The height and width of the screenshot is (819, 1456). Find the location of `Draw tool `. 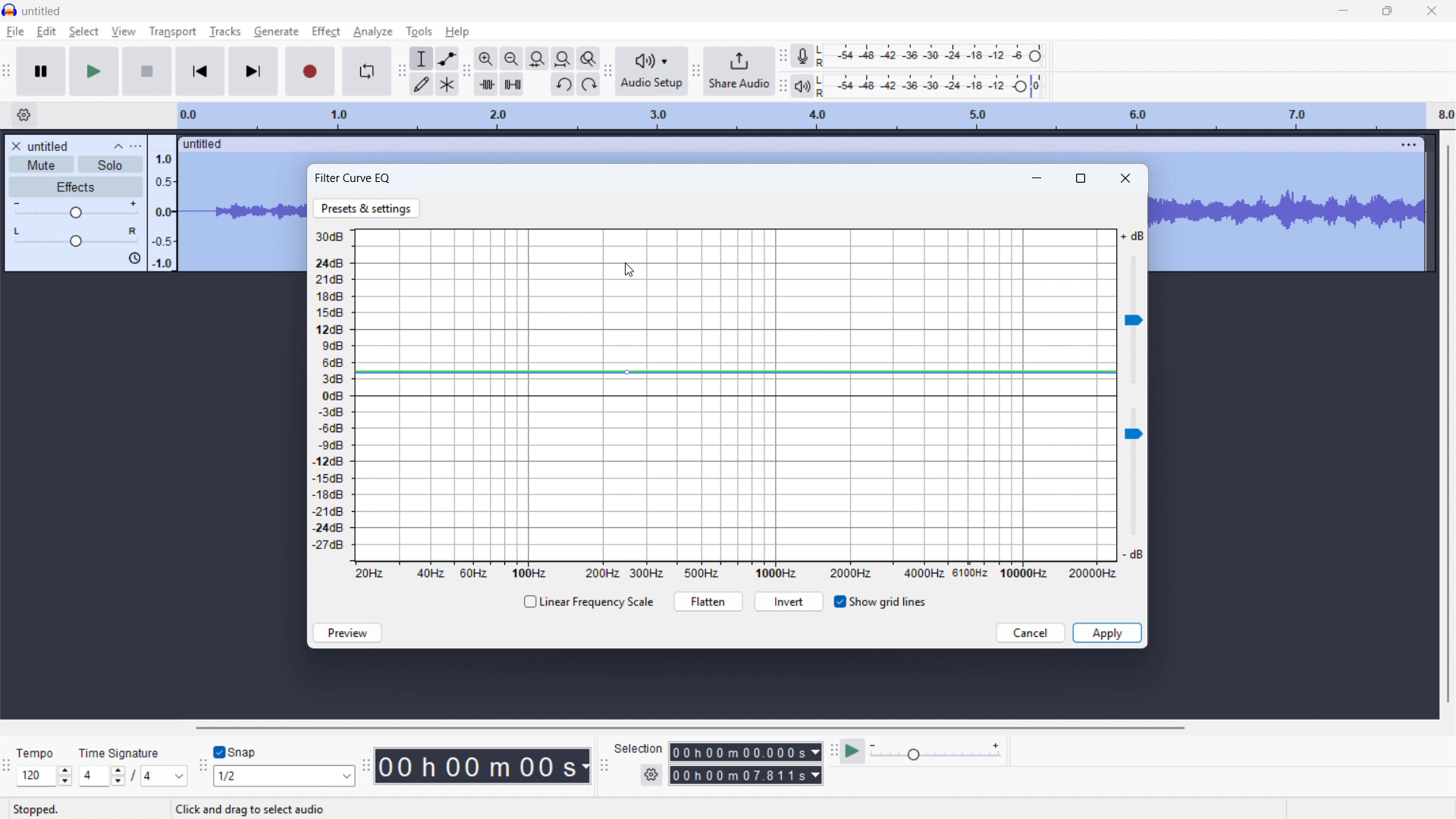

Draw tool  is located at coordinates (421, 85).